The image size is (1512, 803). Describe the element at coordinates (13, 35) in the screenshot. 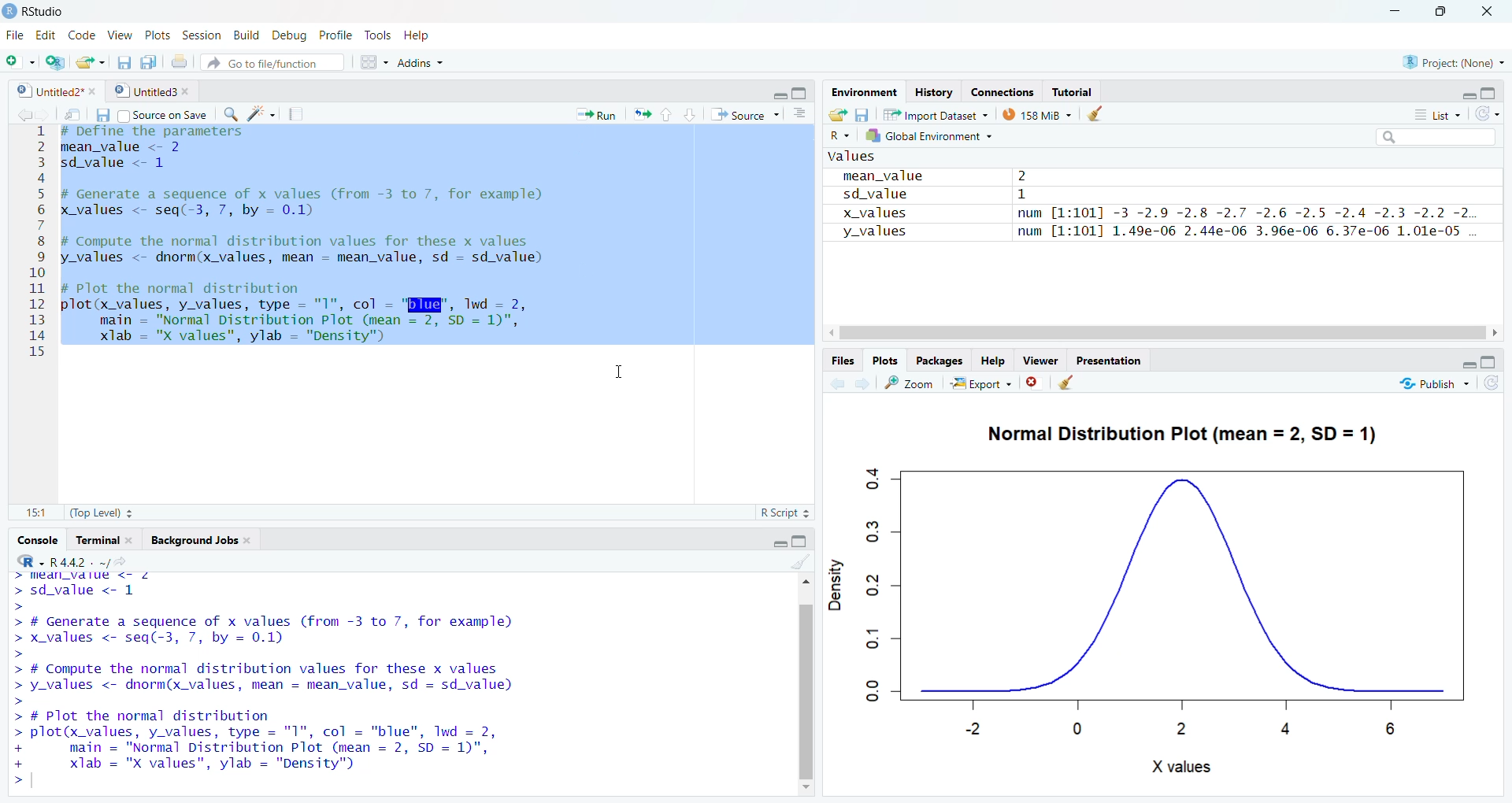

I see `File` at that location.